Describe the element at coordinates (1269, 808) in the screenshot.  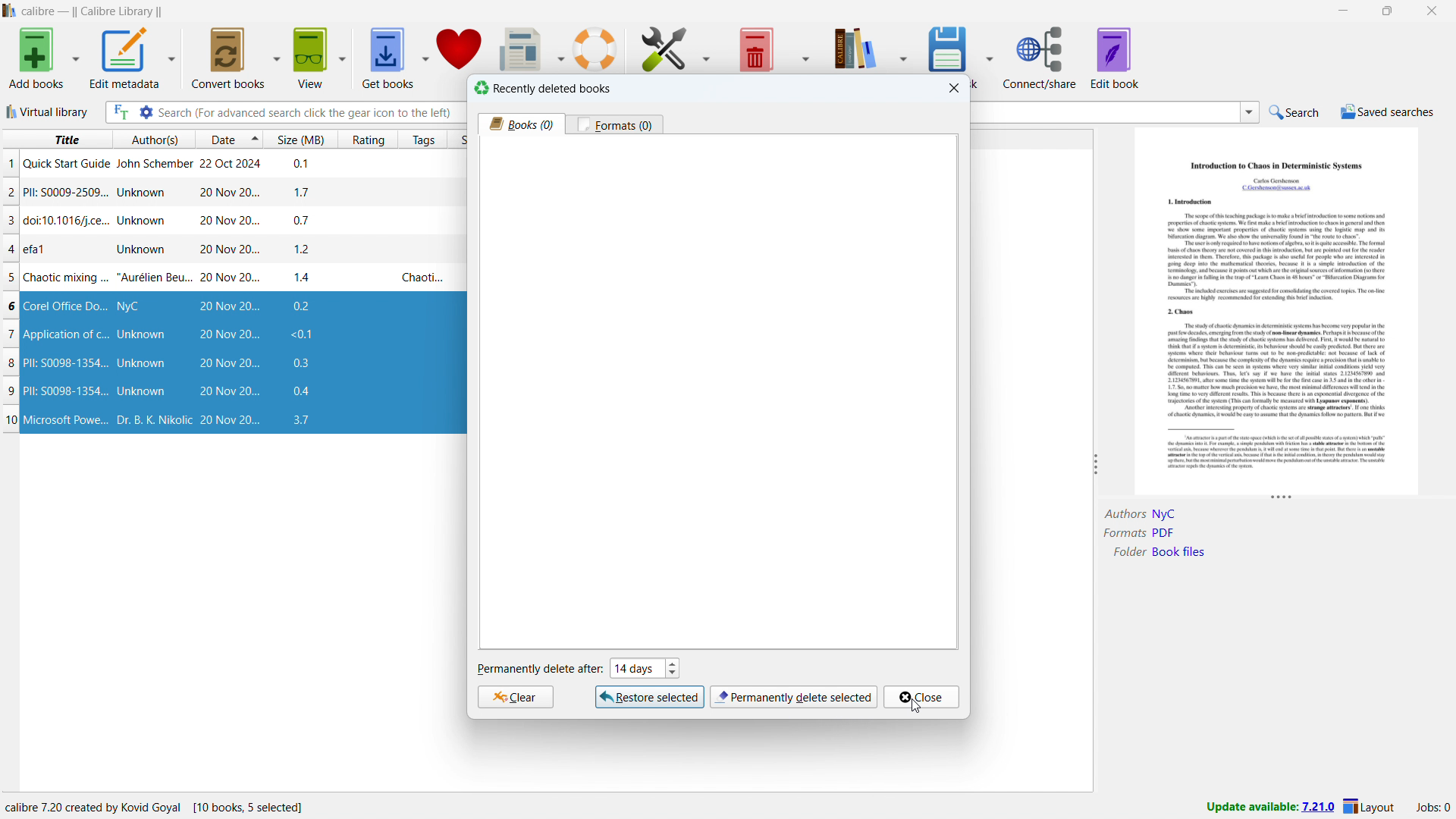
I see `update` at that location.